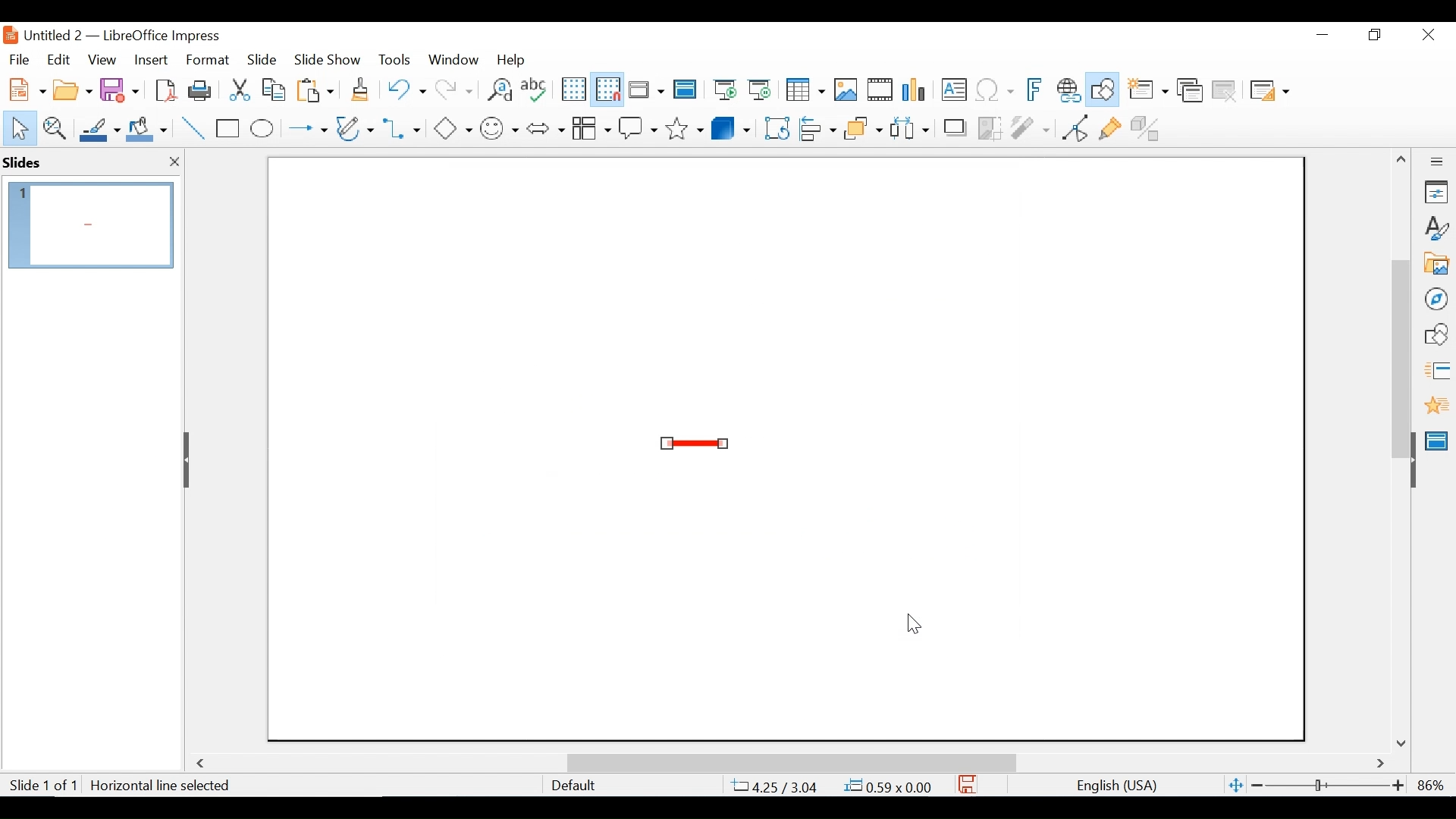 This screenshot has width=1456, height=819. What do you see at coordinates (916, 91) in the screenshot?
I see `Insert Chart` at bounding box center [916, 91].